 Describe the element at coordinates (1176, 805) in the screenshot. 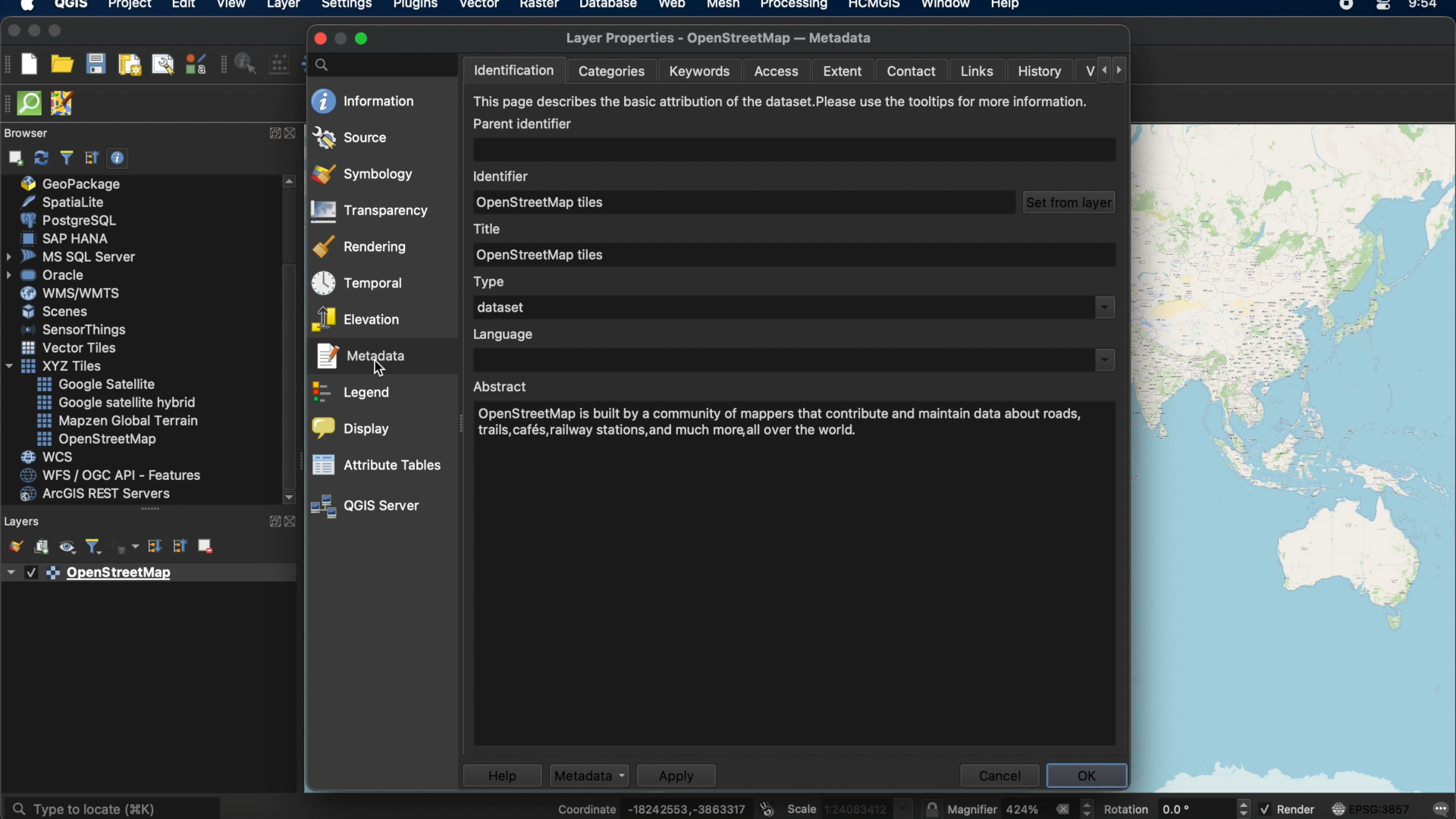

I see `rotation` at that location.